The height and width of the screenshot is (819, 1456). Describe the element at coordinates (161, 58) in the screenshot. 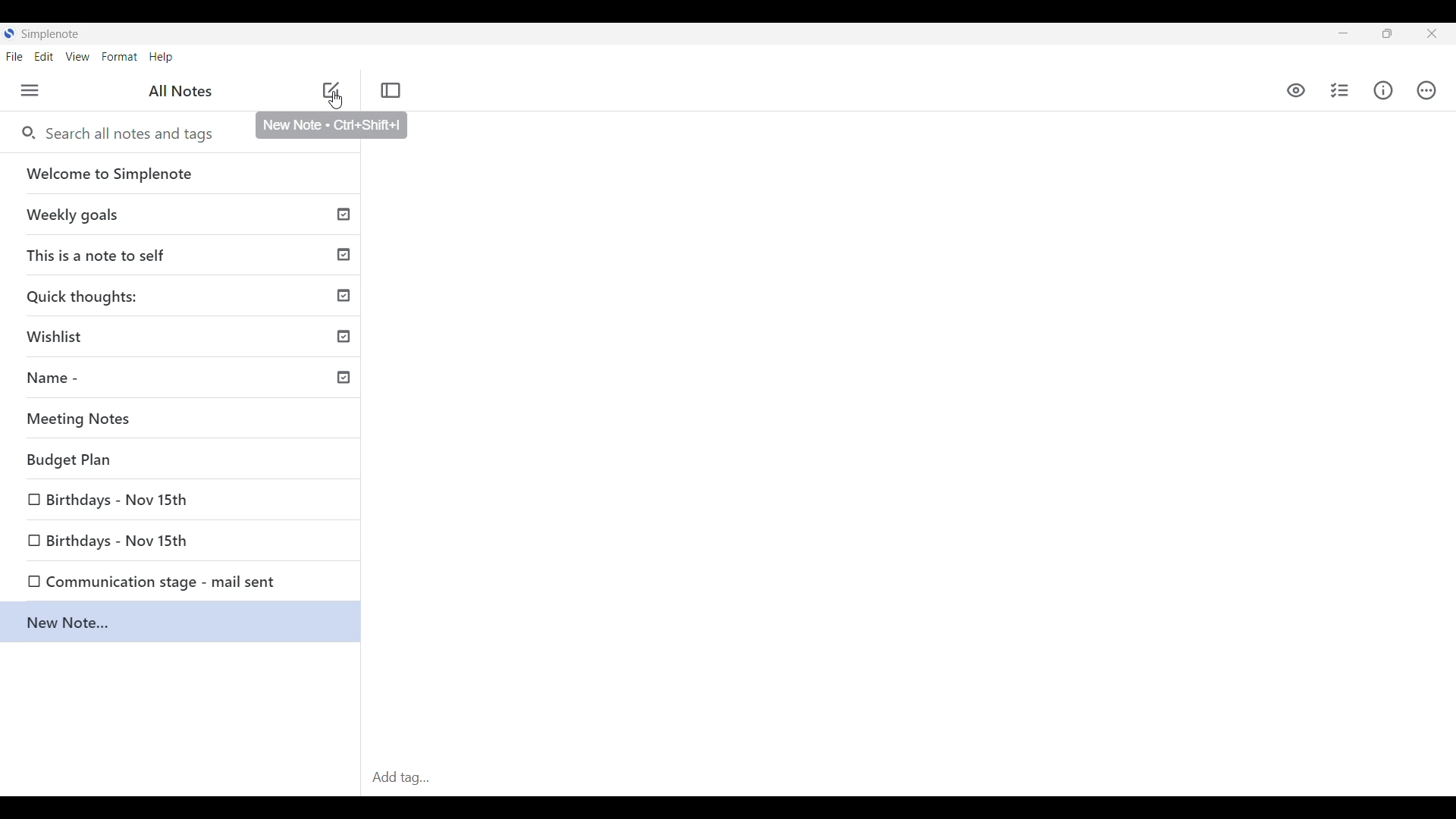

I see `Help` at that location.